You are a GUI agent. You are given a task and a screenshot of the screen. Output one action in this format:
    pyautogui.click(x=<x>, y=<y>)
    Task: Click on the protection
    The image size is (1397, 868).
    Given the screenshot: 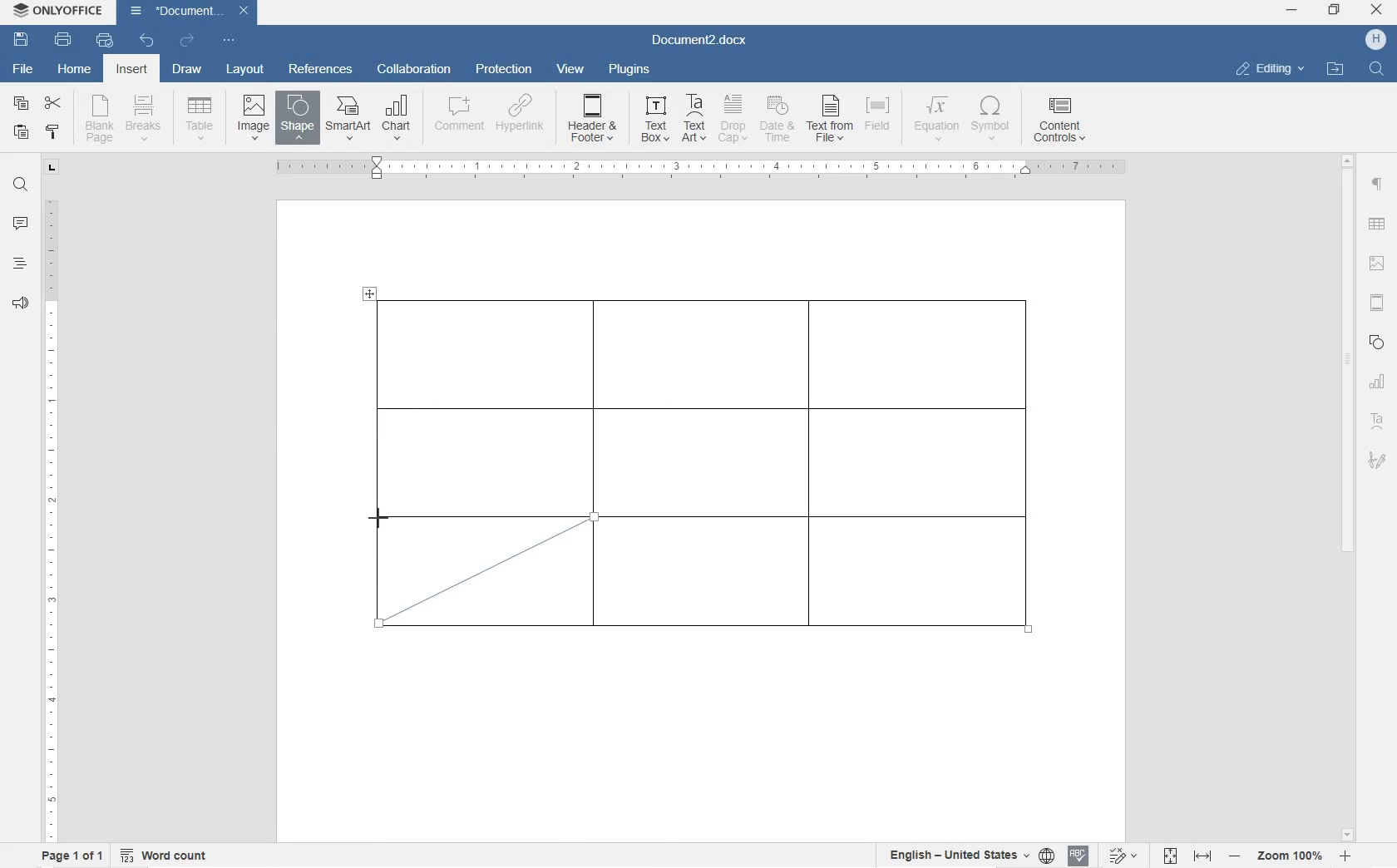 What is the action you would take?
    pyautogui.click(x=506, y=70)
    